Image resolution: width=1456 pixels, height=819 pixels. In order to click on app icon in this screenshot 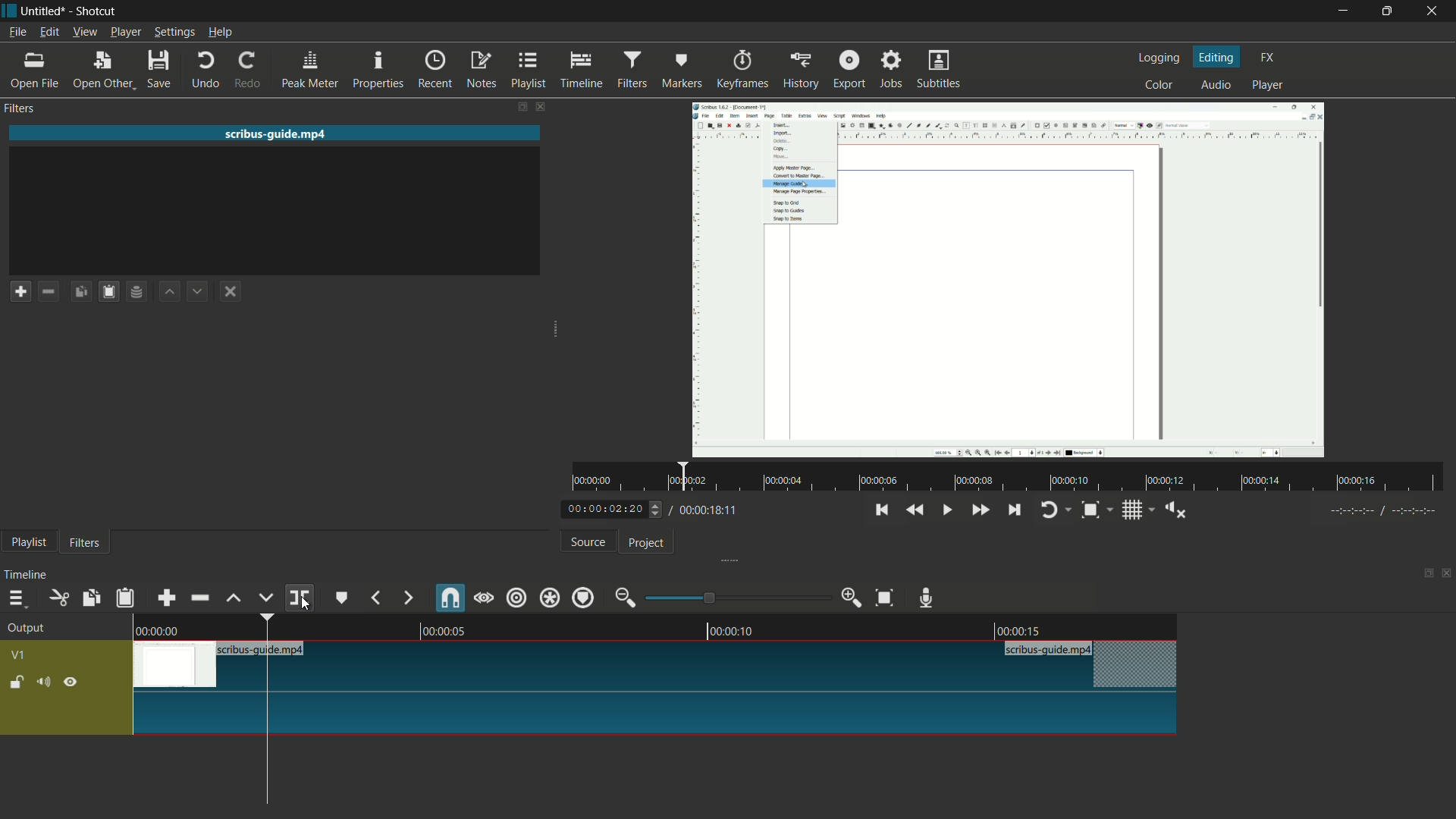, I will do `click(9, 9)`.